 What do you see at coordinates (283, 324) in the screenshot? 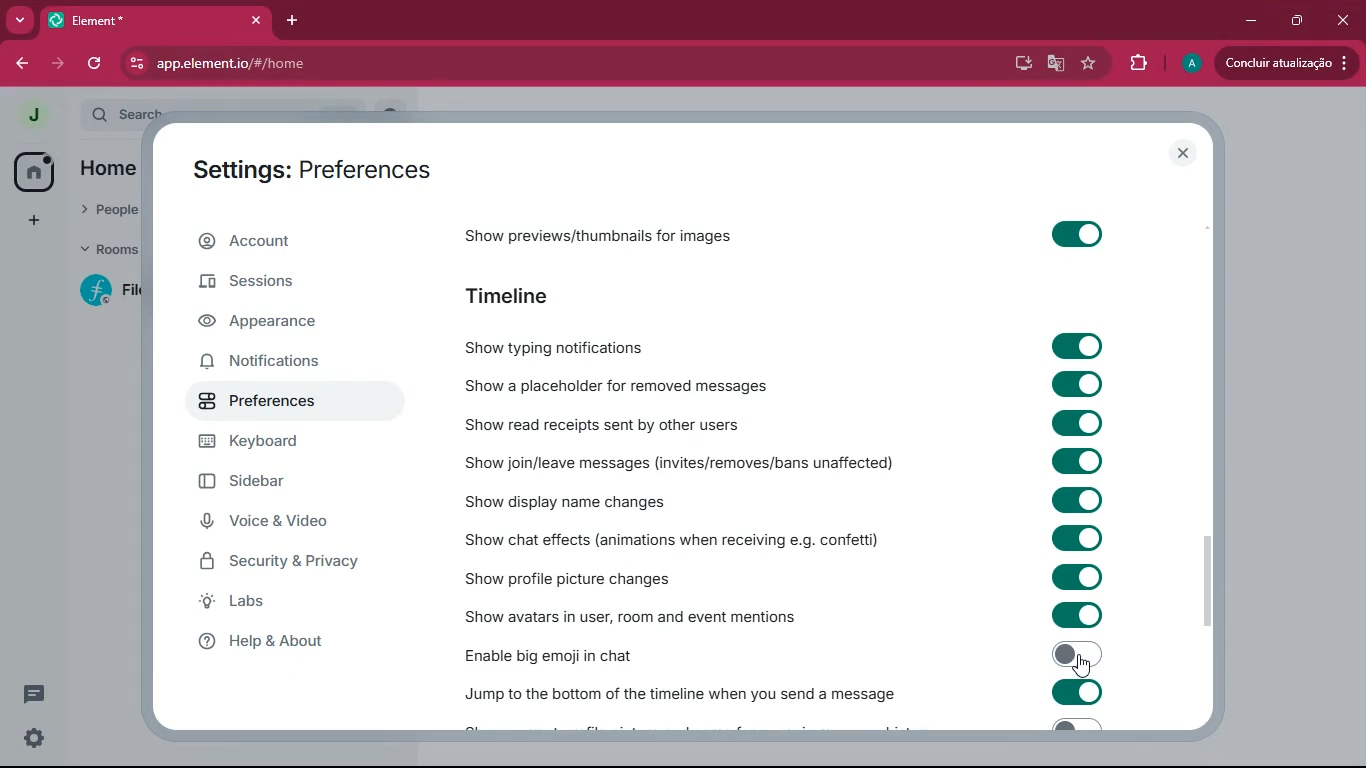
I see `appearance` at bounding box center [283, 324].